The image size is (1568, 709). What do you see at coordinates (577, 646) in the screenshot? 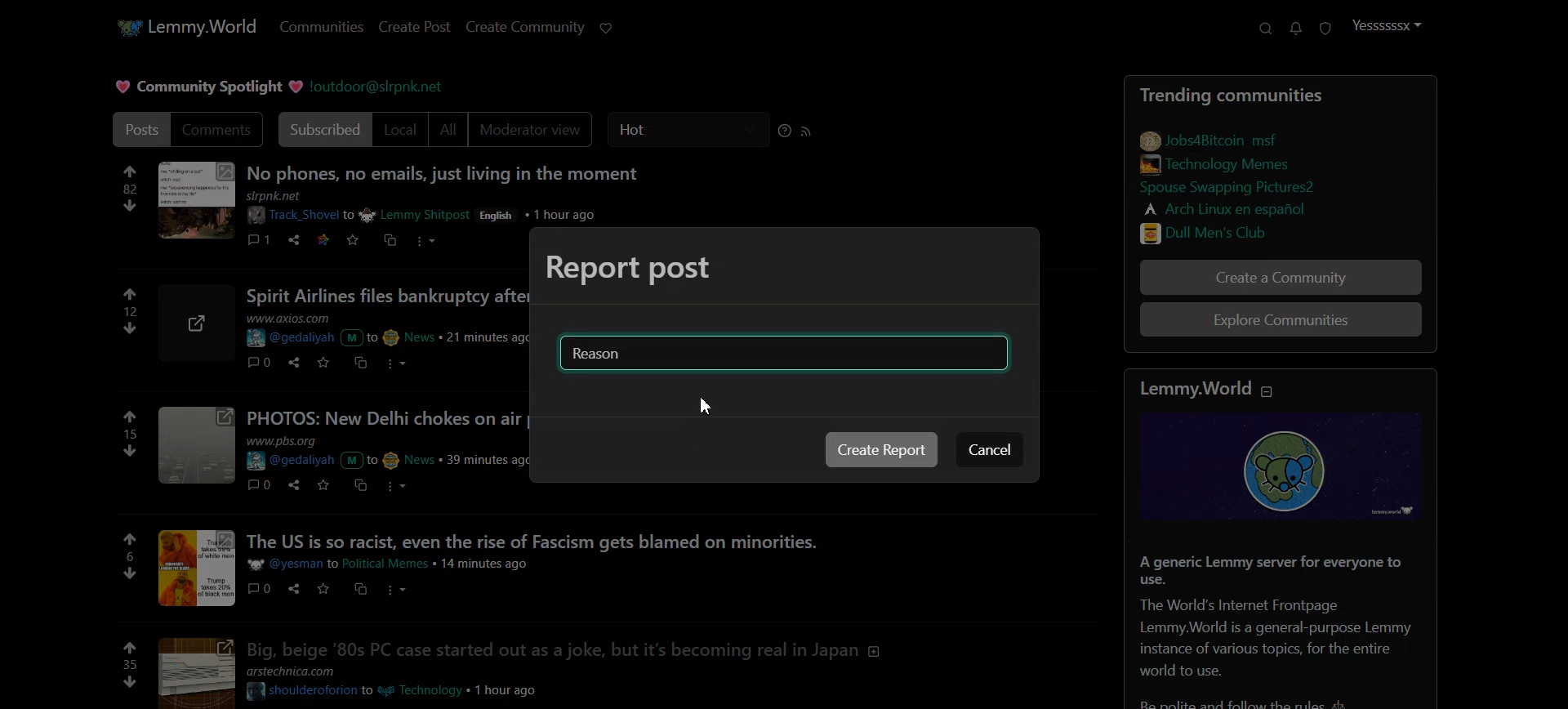
I see `post` at bounding box center [577, 646].